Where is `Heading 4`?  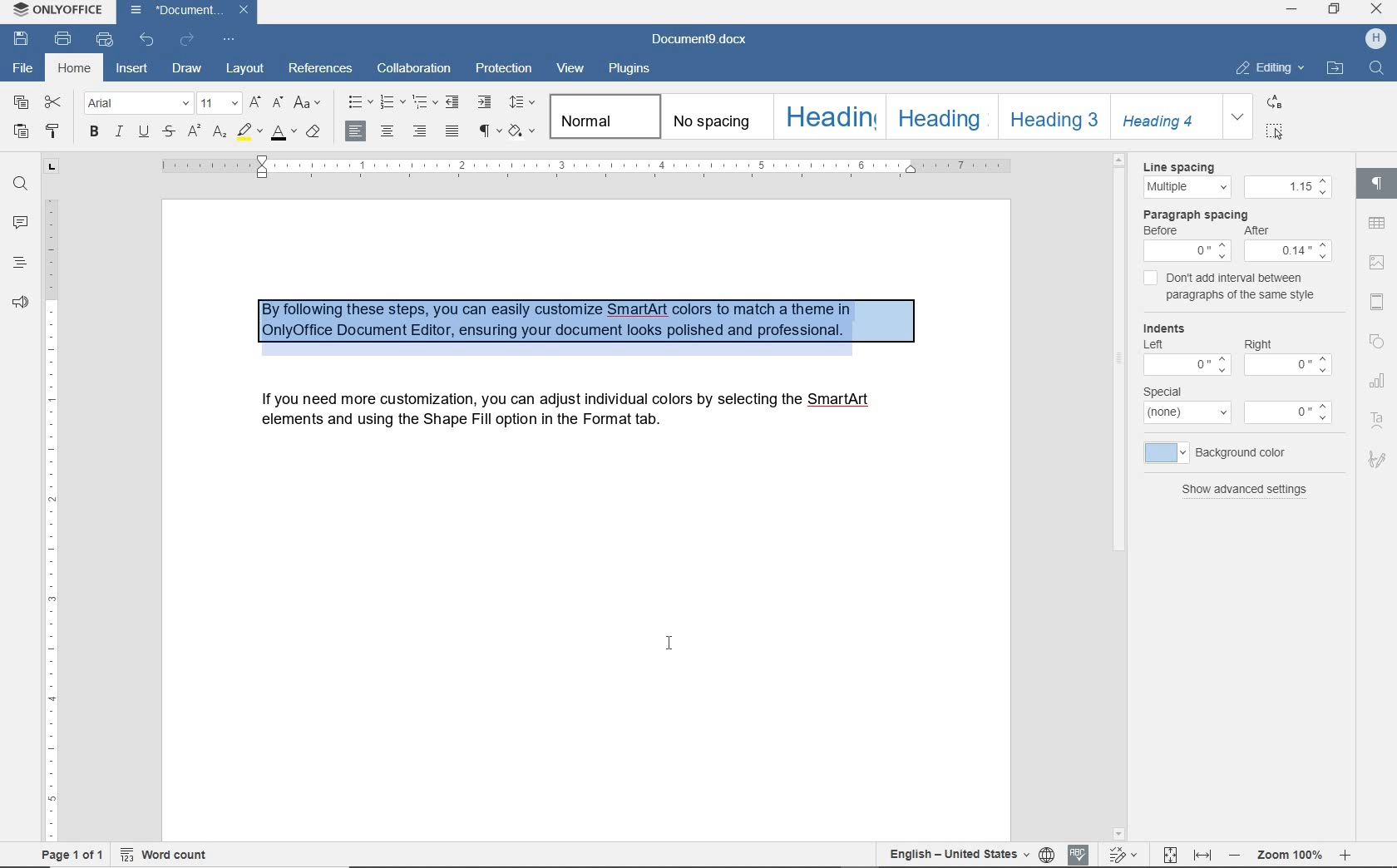 Heading 4 is located at coordinates (1166, 117).